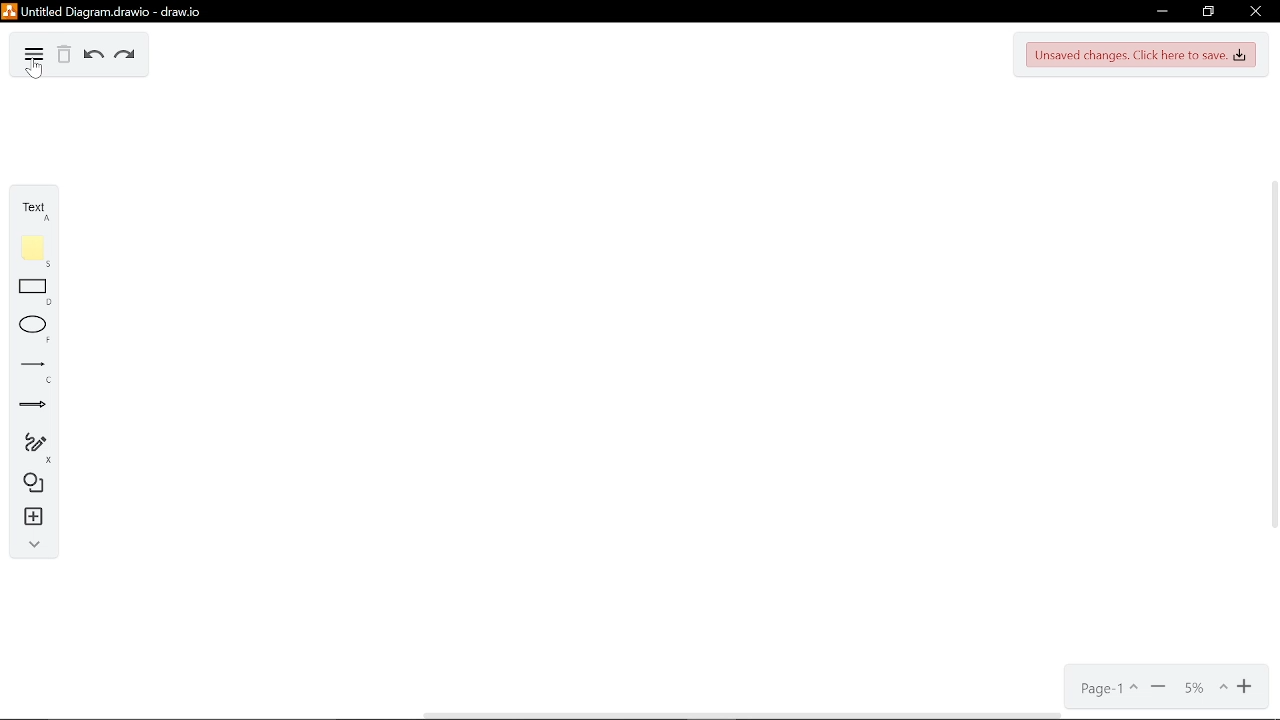  Describe the element at coordinates (64, 55) in the screenshot. I see `Delete` at that location.